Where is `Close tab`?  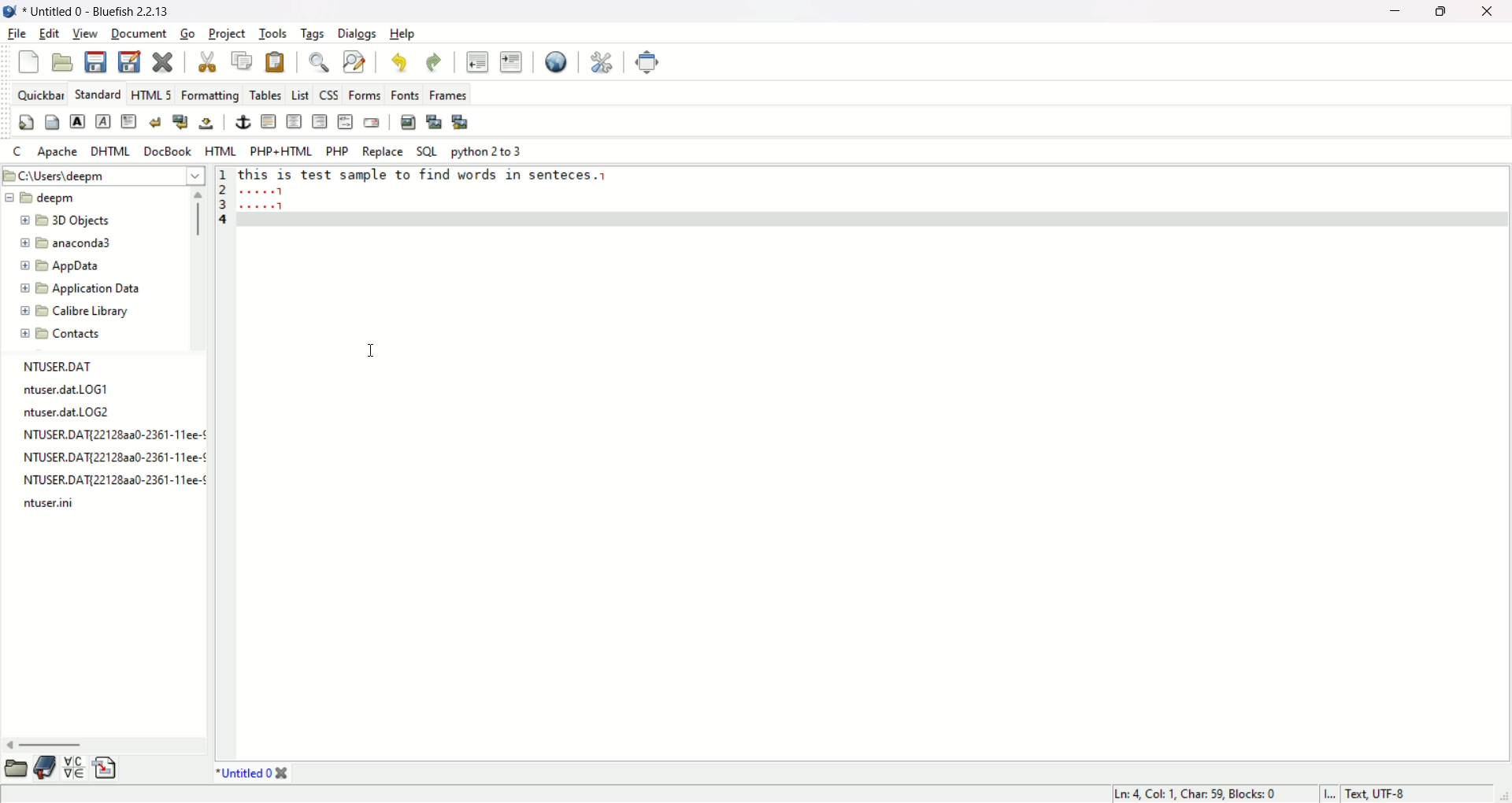
Close tab is located at coordinates (281, 773).